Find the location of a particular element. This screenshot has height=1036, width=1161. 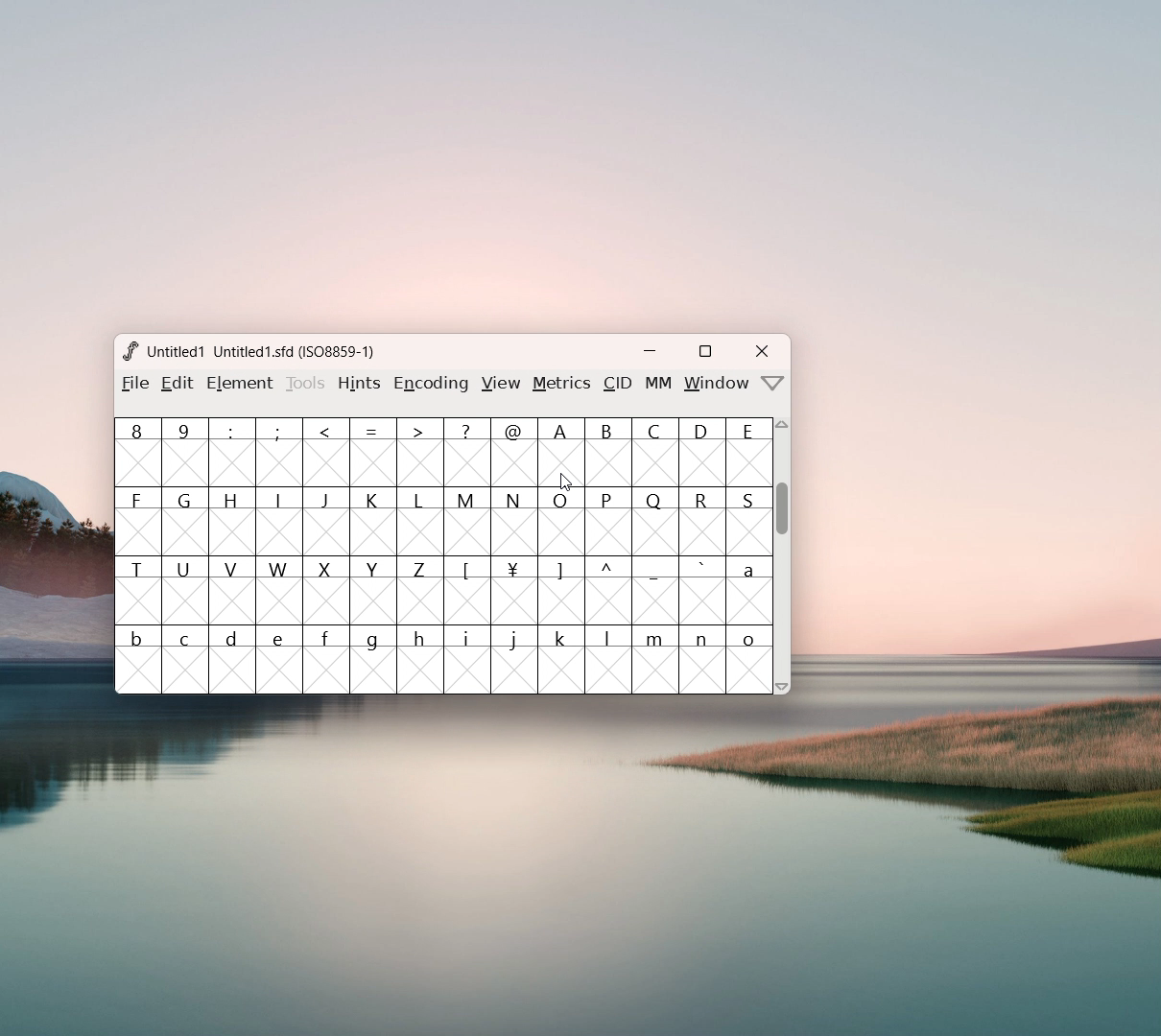

 is located at coordinates (178, 385).